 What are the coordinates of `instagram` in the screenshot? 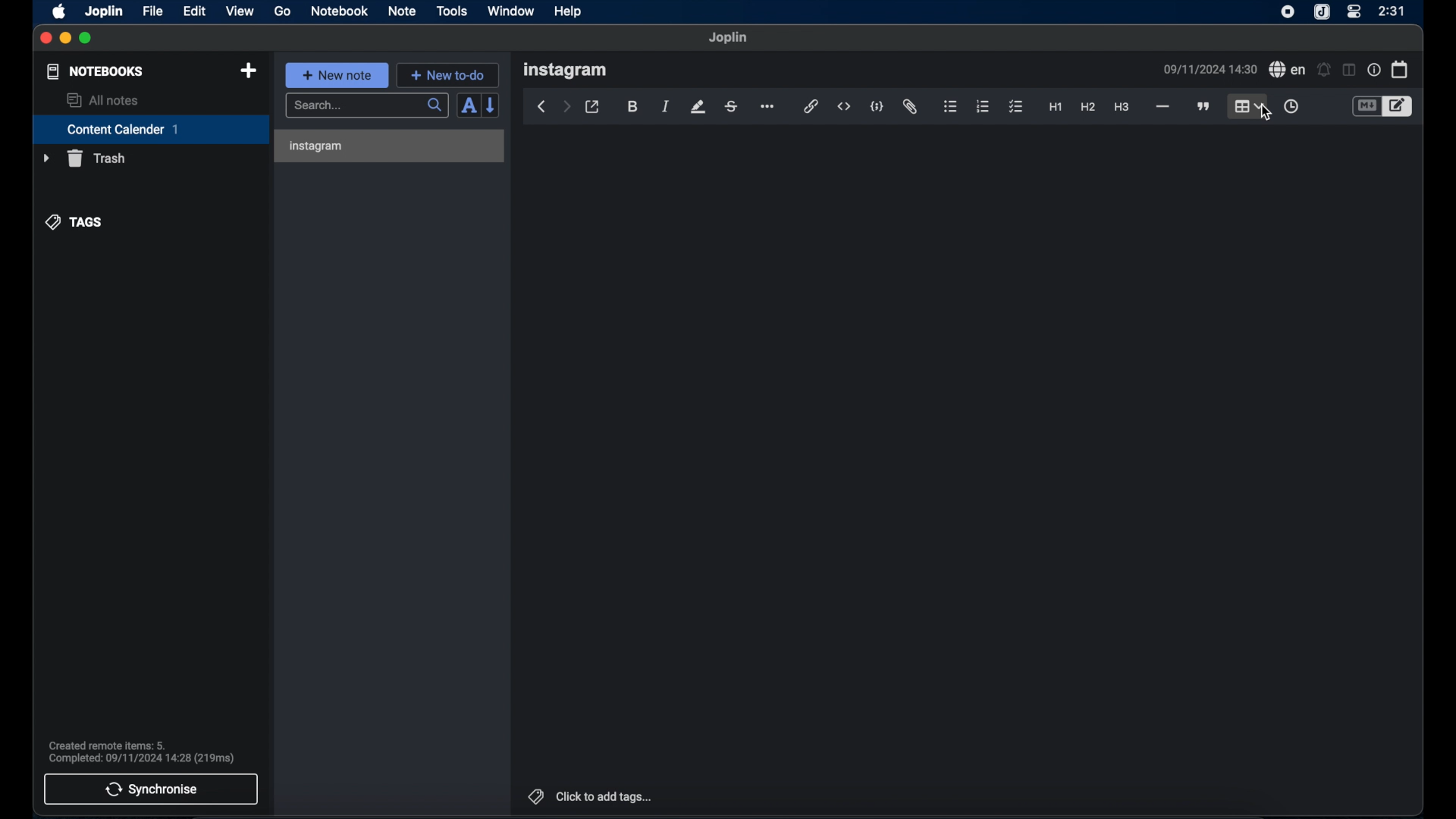 It's located at (565, 71).